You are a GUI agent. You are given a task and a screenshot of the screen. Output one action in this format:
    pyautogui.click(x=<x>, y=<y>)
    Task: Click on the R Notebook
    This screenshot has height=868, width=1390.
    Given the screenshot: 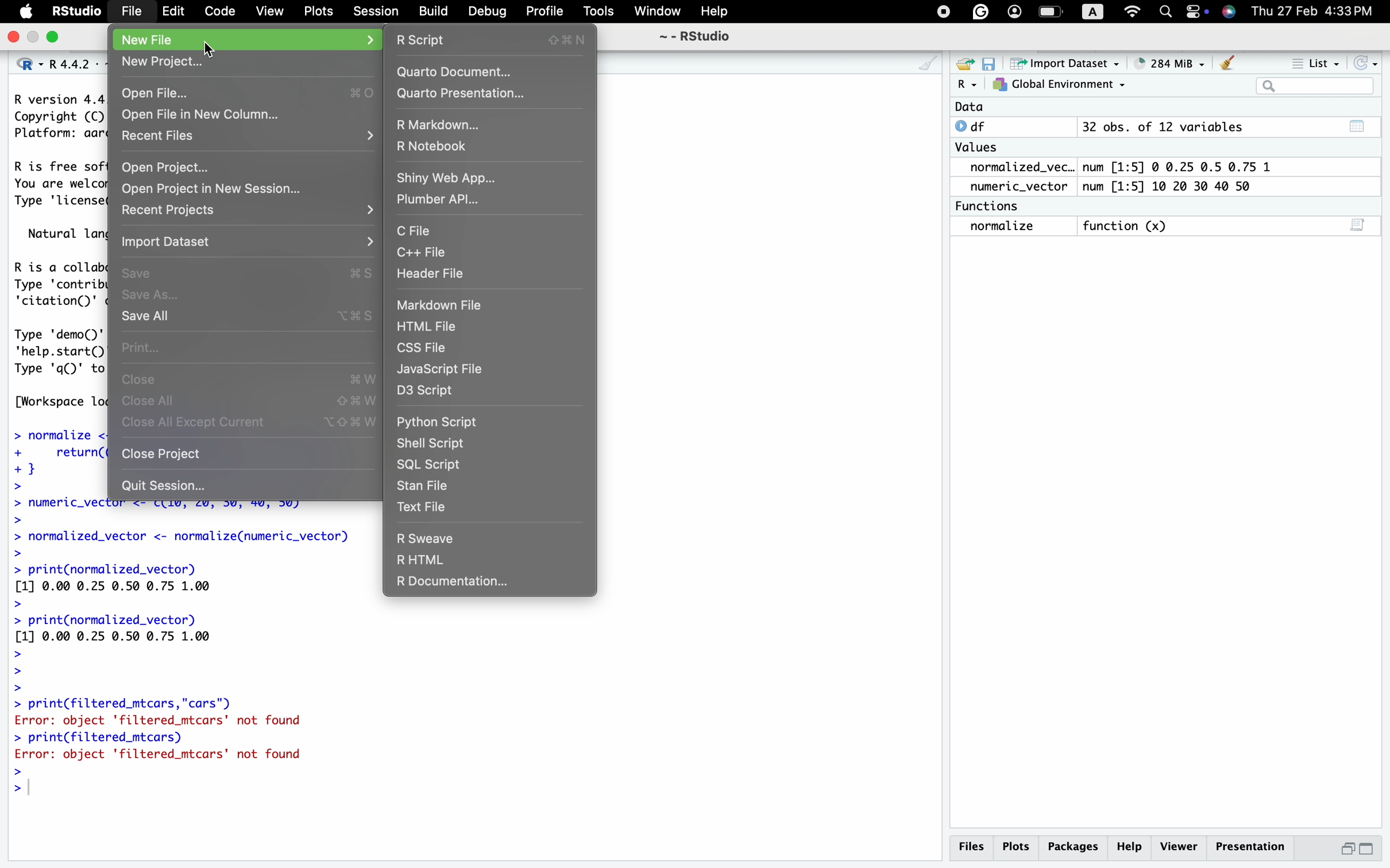 What is the action you would take?
    pyautogui.click(x=438, y=144)
    